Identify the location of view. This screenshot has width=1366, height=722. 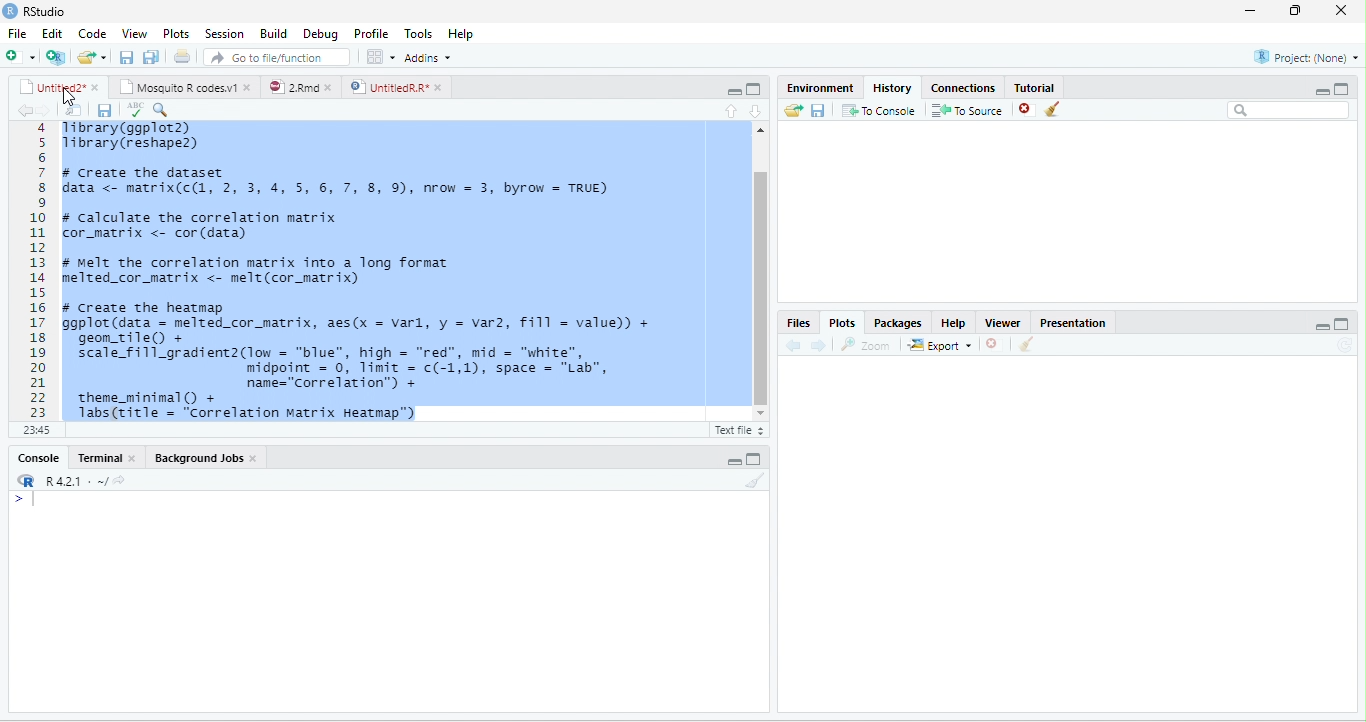
(136, 33).